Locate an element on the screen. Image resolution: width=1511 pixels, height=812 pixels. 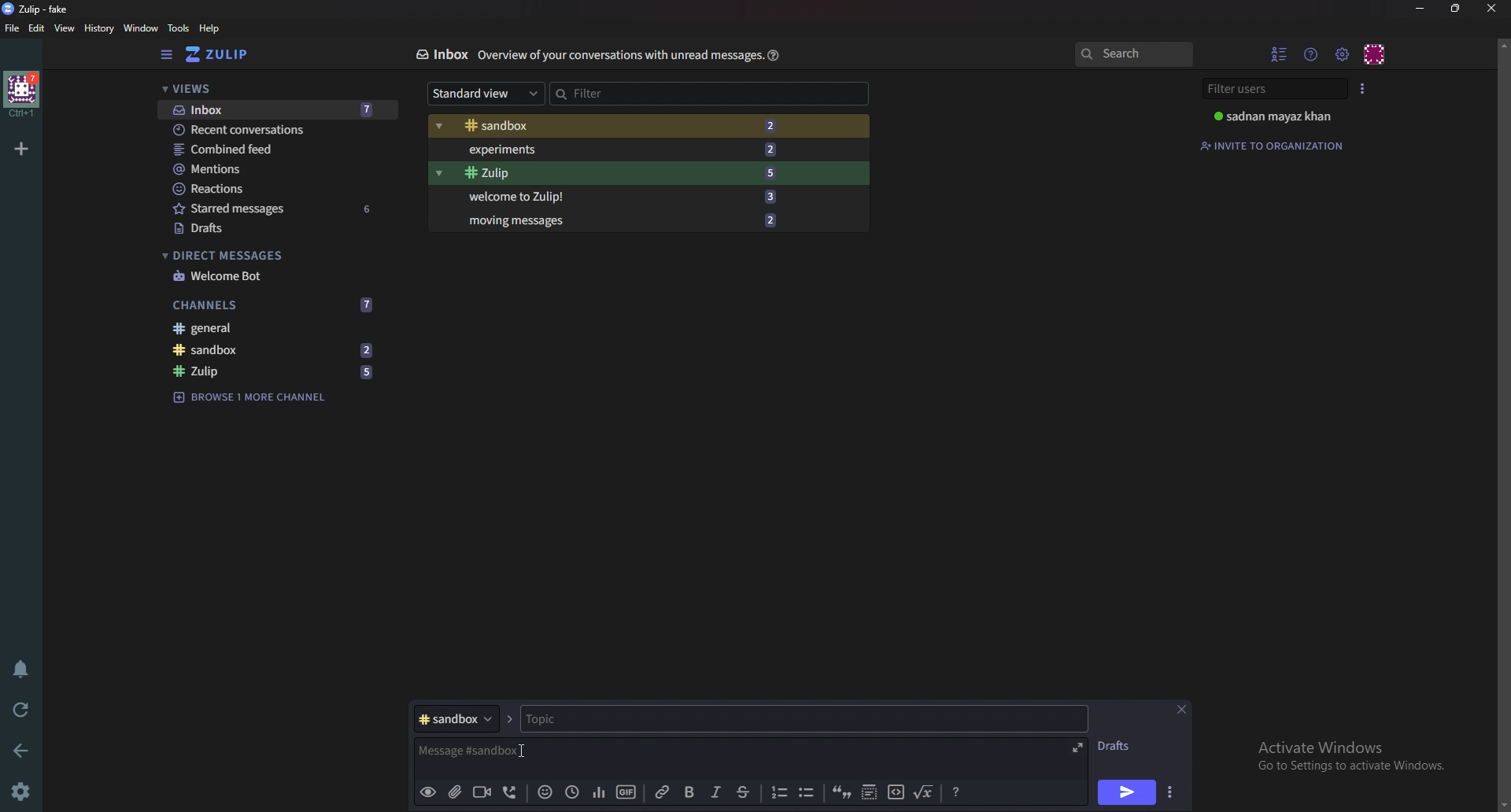
Inbox is located at coordinates (441, 54).